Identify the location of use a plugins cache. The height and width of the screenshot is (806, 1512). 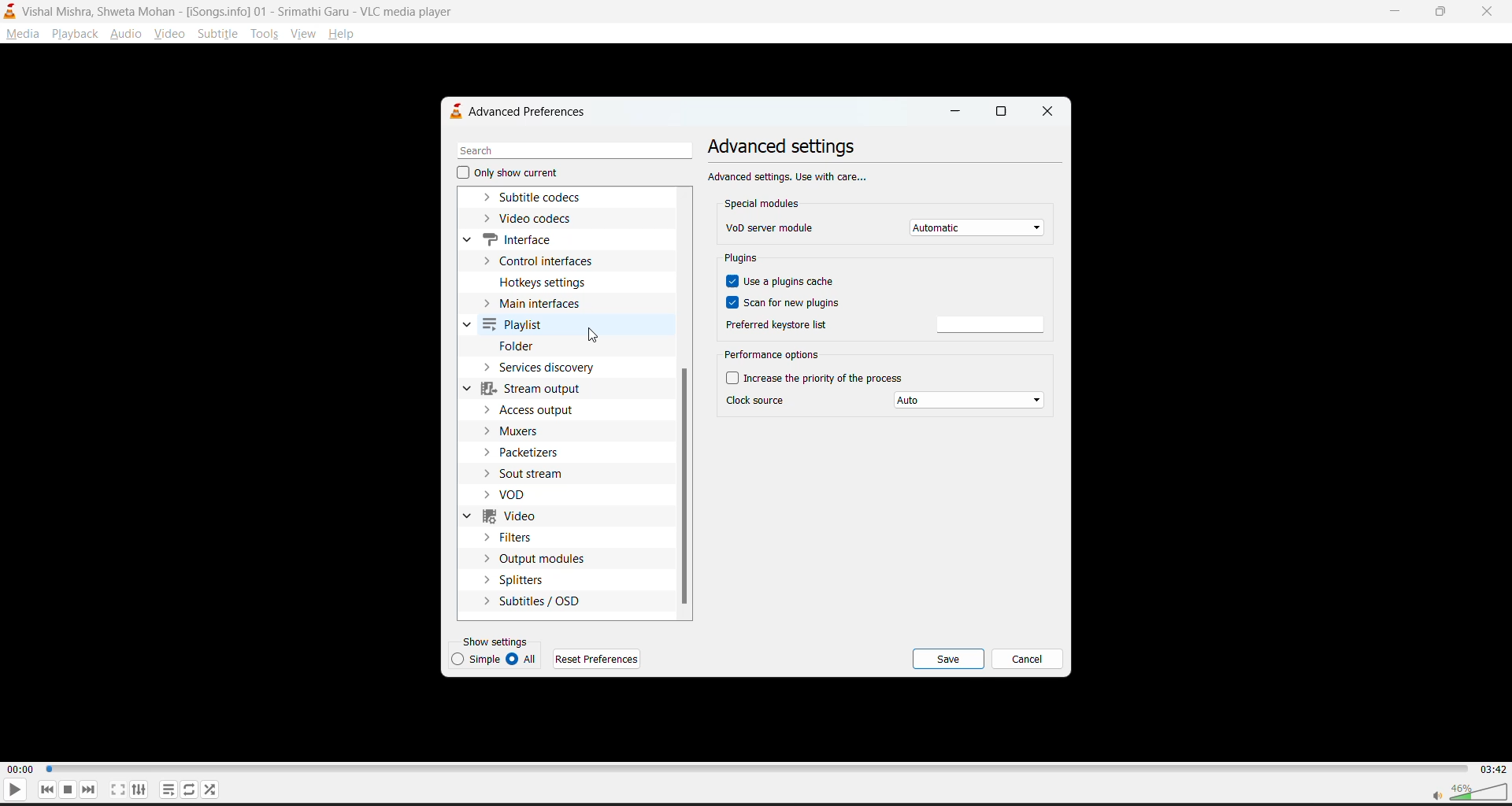
(782, 279).